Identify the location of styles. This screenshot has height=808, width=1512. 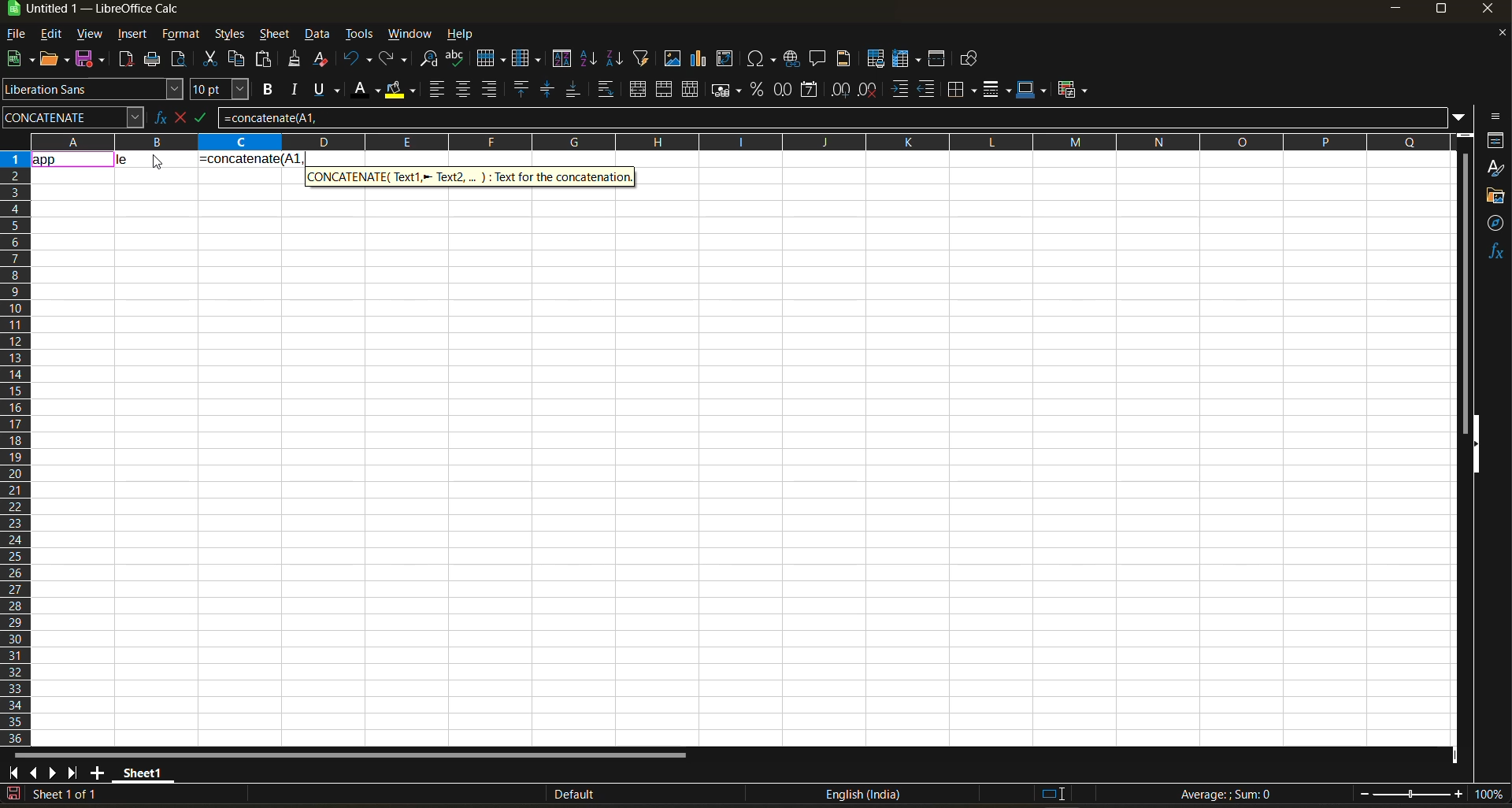
(228, 35).